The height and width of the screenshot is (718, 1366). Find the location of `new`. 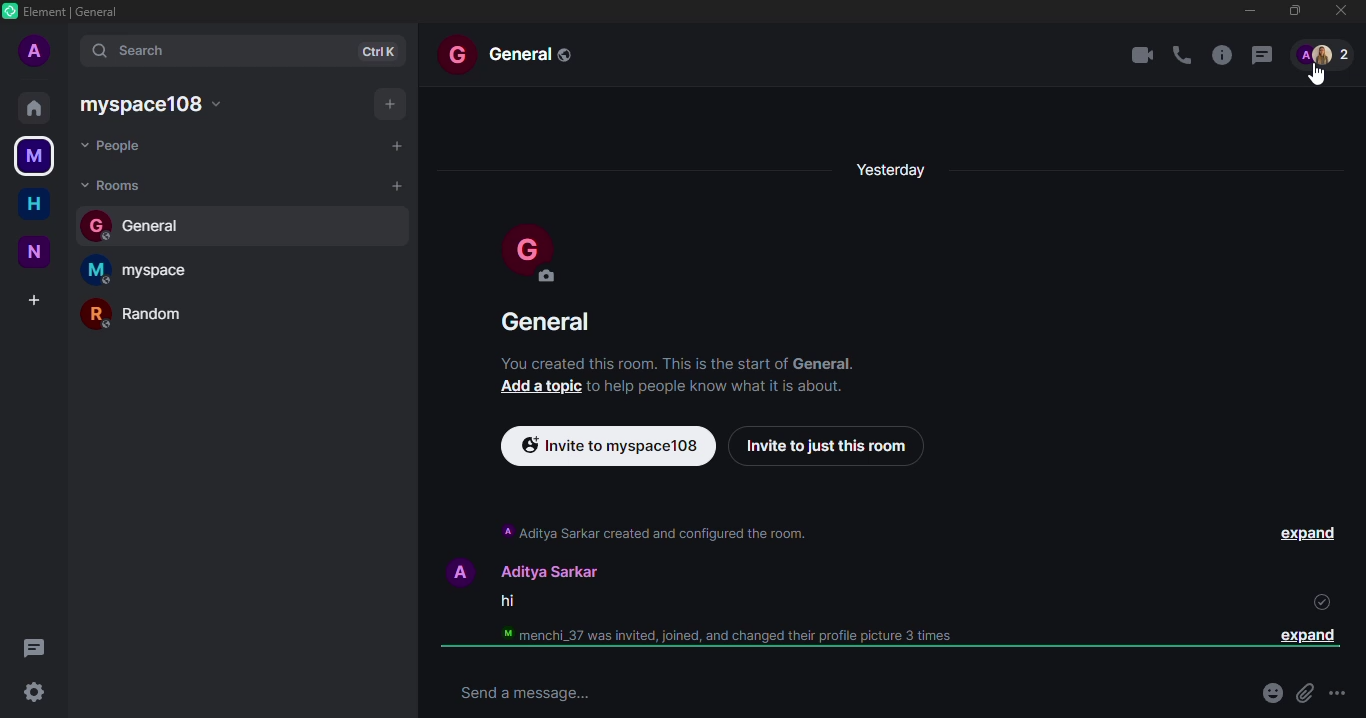

new is located at coordinates (36, 252).